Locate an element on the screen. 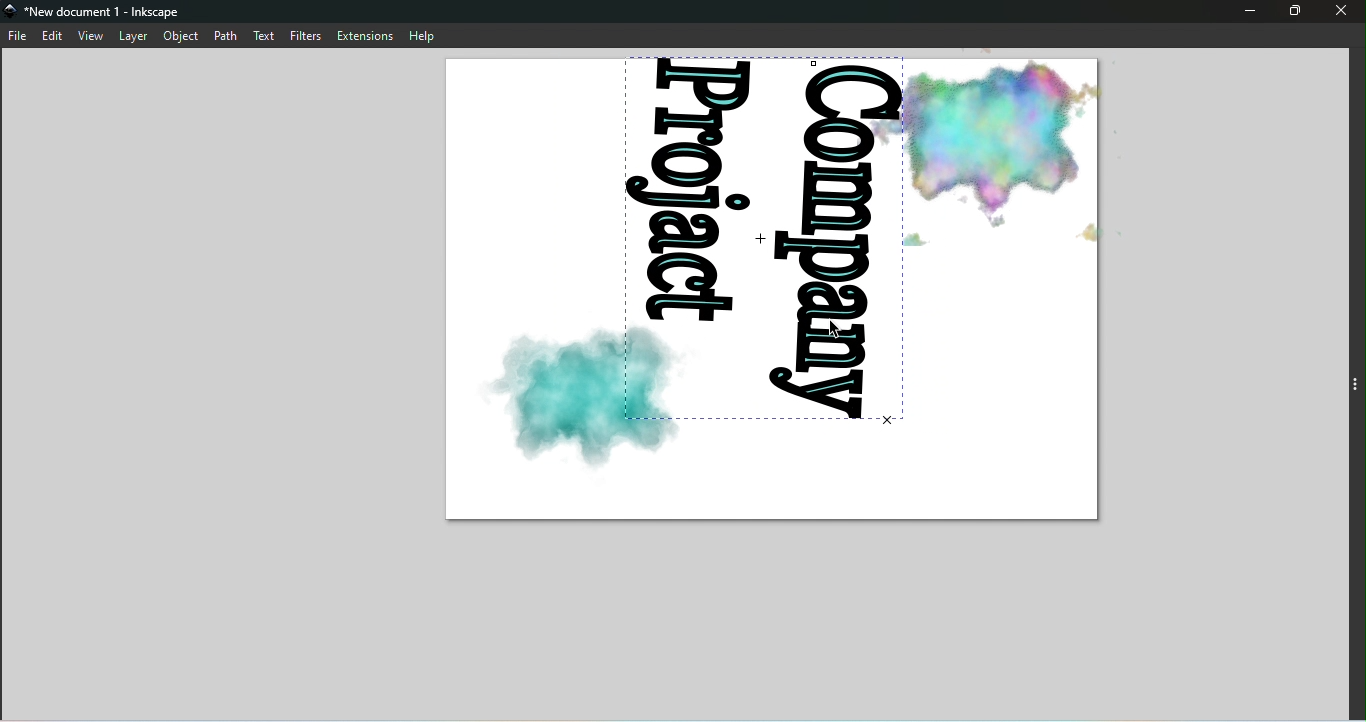 The image size is (1366, 722). Edit is located at coordinates (55, 36).